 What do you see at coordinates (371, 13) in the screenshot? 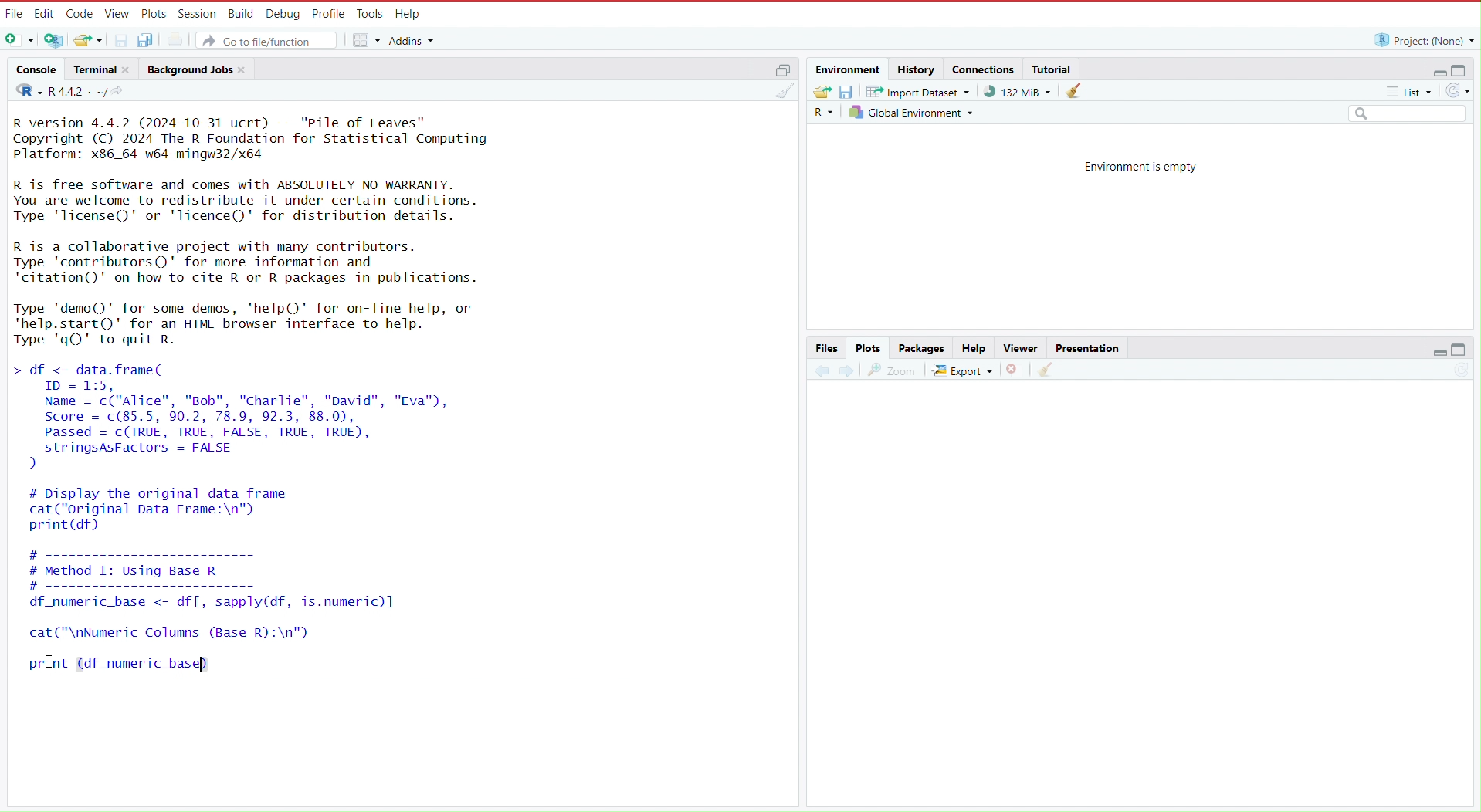
I see `Tools` at bounding box center [371, 13].